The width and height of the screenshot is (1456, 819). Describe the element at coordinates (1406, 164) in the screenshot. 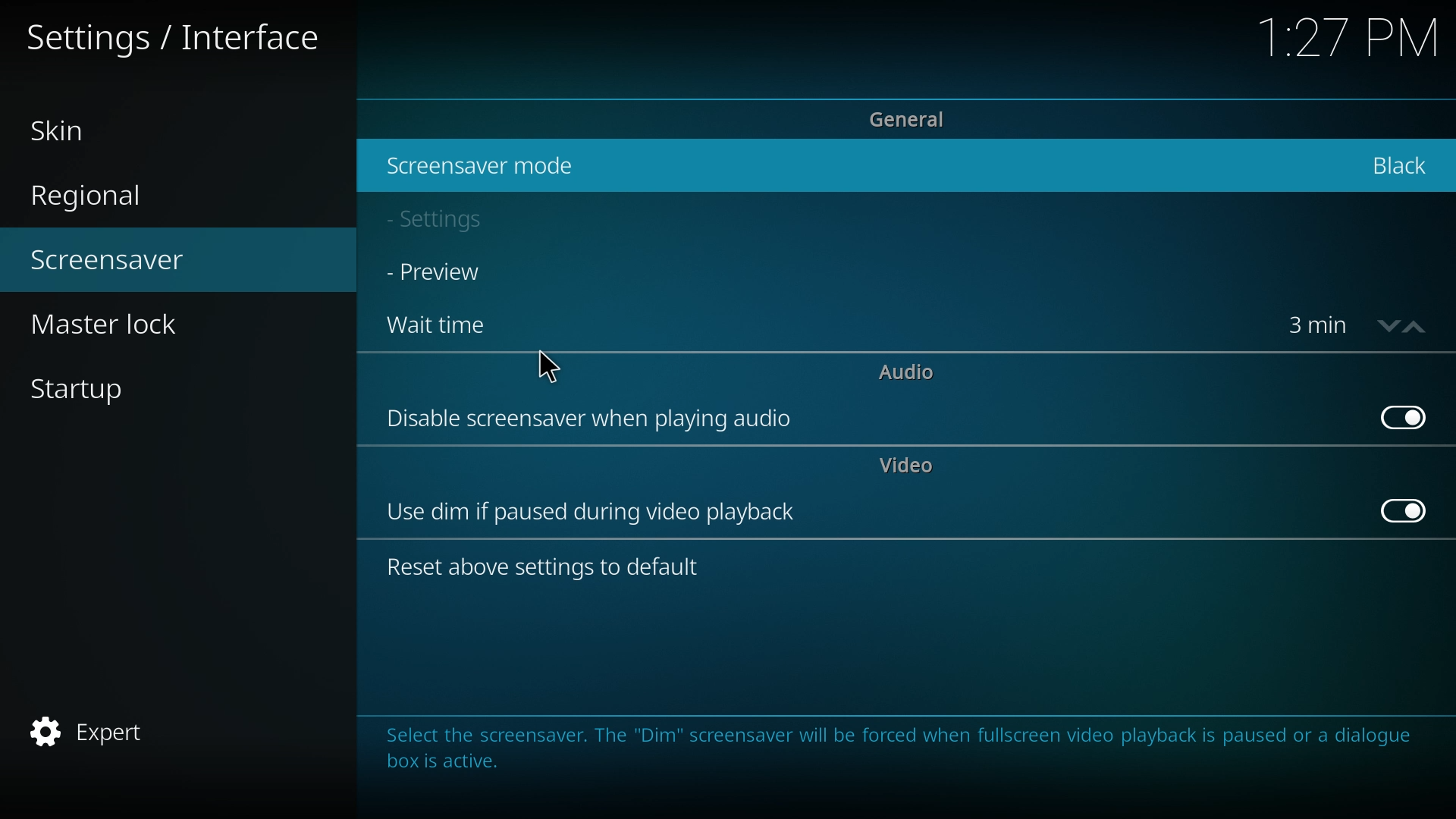

I see `black screensaver` at that location.